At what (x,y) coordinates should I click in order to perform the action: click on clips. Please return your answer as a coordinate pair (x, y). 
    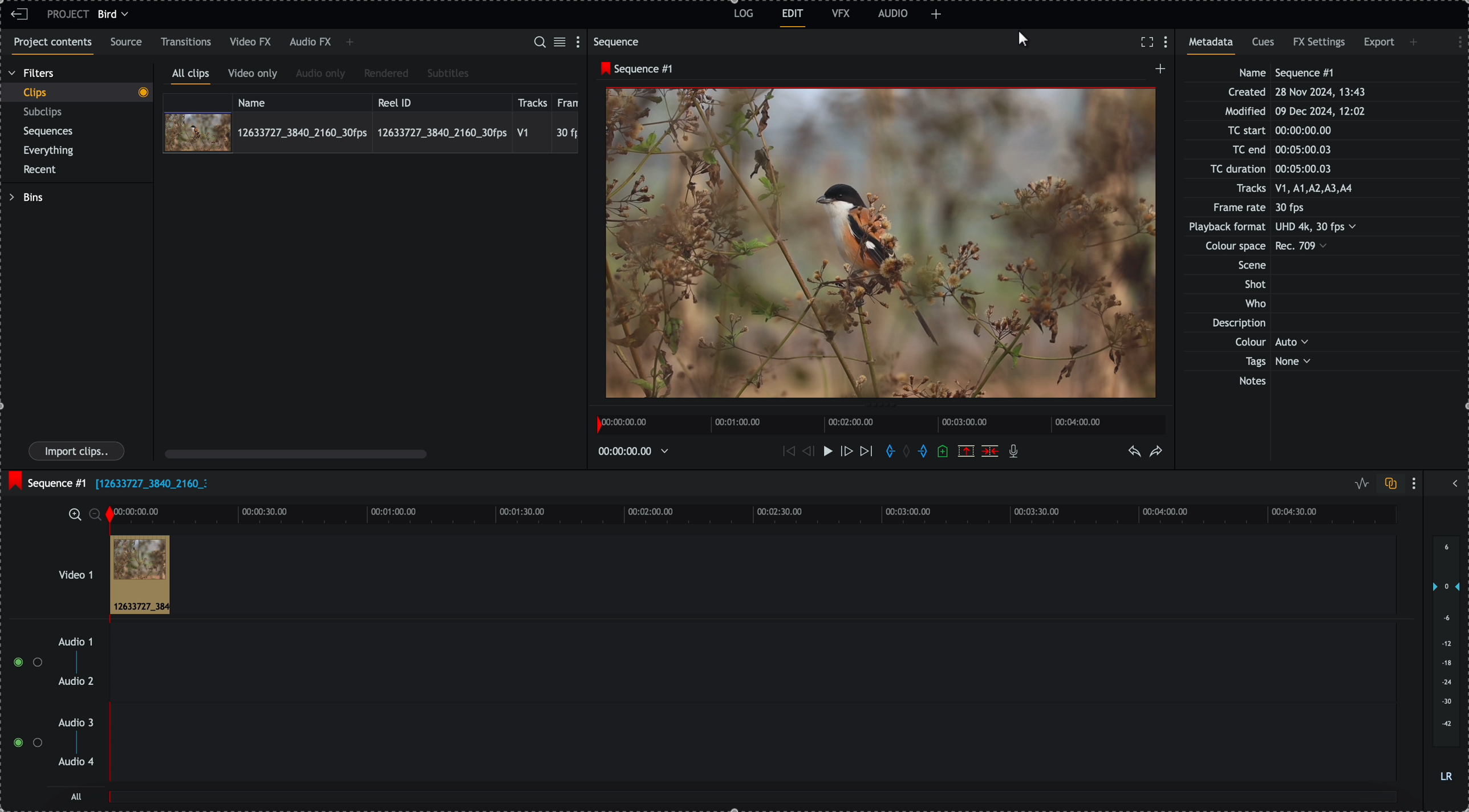
    Looking at the image, I should click on (76, 93).